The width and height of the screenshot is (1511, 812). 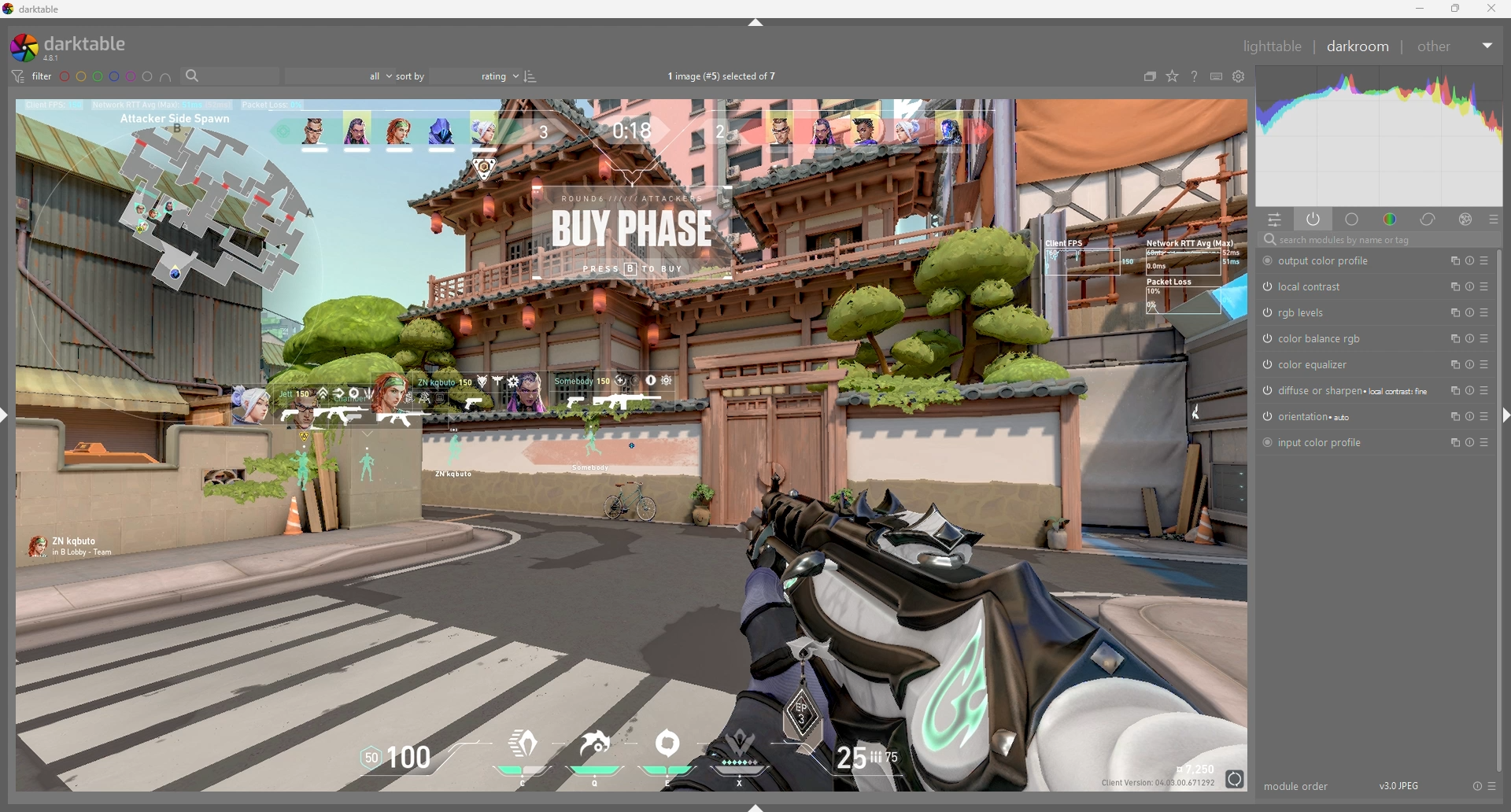 I want to click on presets, so click(x=1494, y=219).